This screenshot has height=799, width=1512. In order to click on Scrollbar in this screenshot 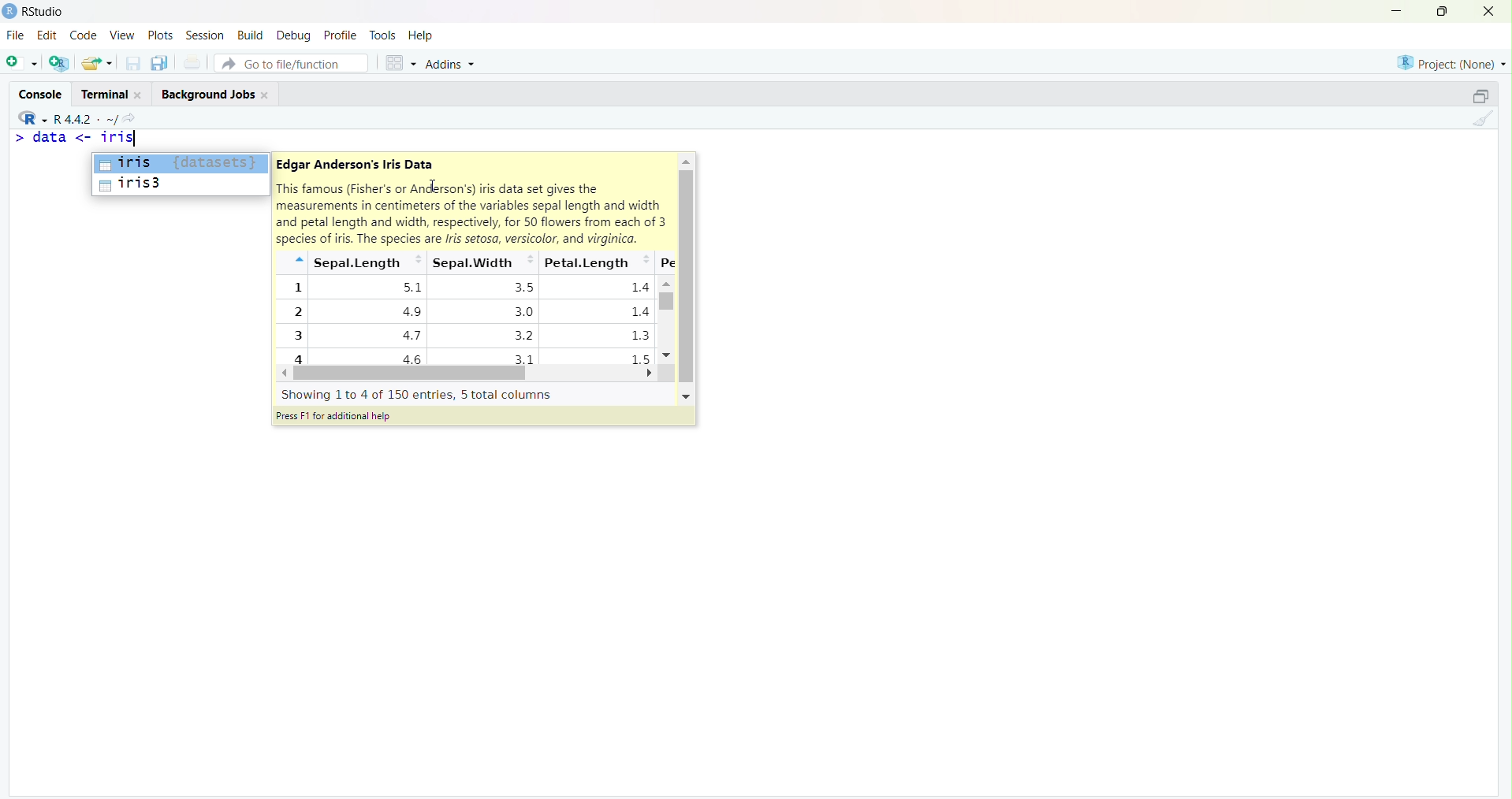, I will do `click(414, 373)`.